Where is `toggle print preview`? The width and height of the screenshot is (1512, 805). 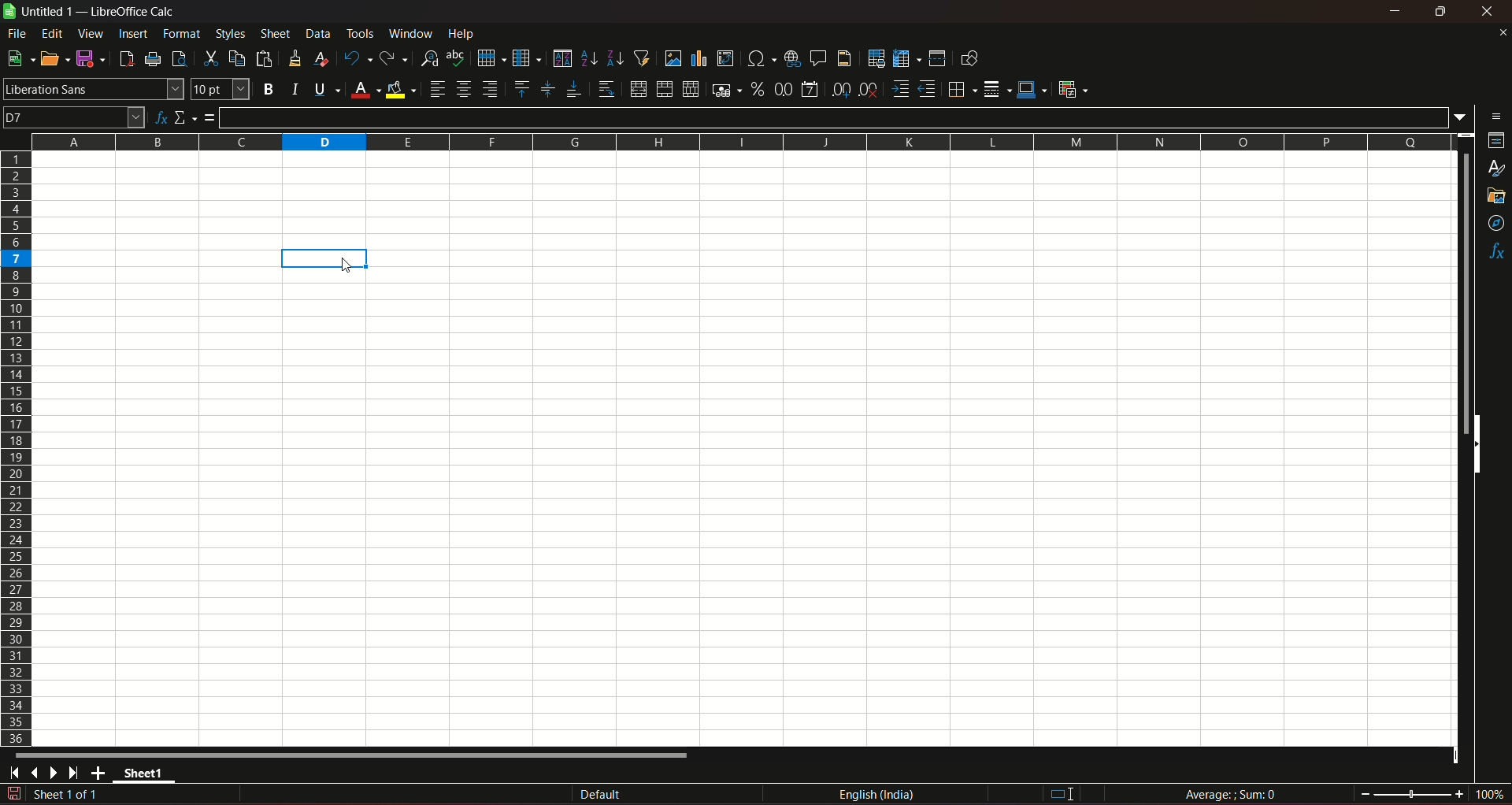
toggle print preview is located at coordinates (177, 57).